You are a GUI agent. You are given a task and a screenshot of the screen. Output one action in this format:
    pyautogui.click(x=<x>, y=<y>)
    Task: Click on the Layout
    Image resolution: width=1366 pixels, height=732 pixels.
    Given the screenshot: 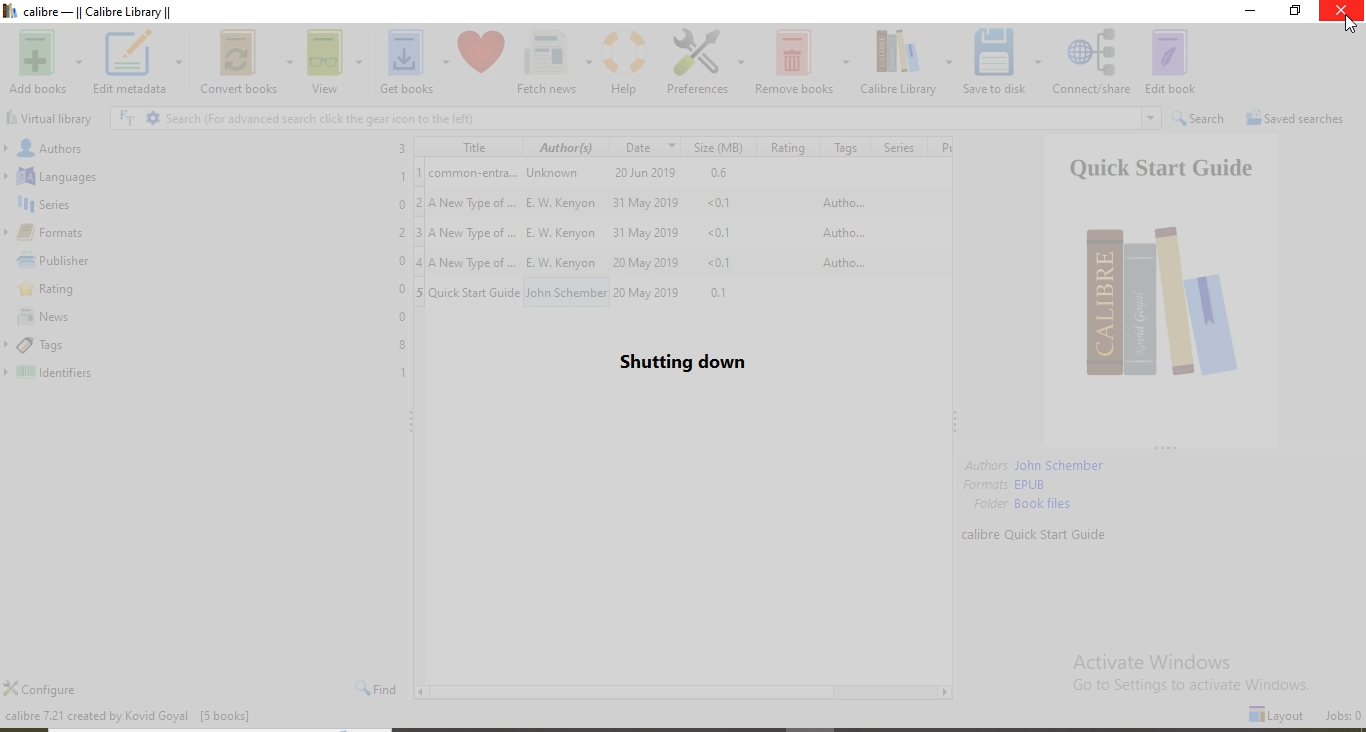 What is the action you would take?
    pyautogui.click(x=1277, y=715)
    